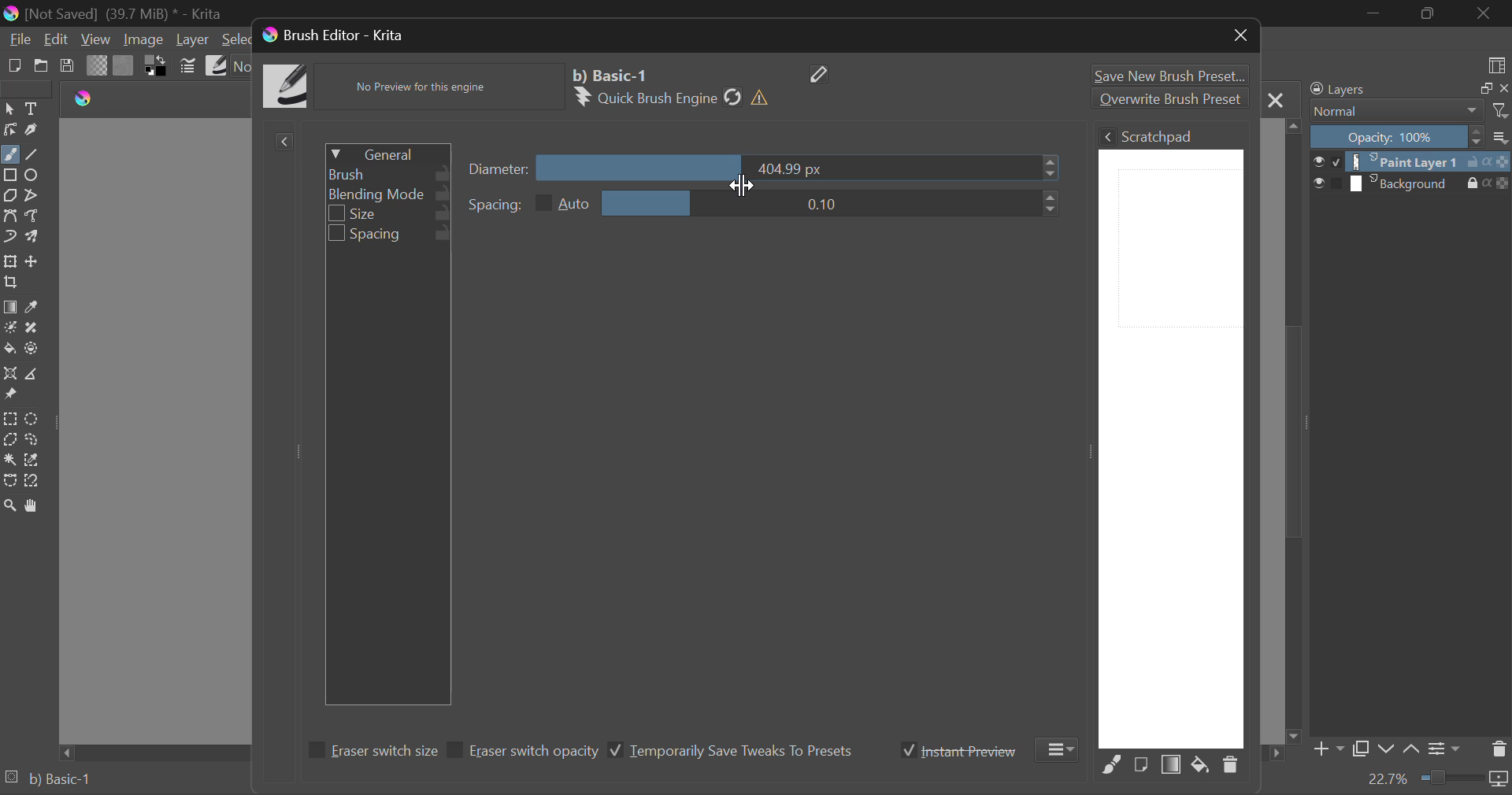 The width and height of the screenshot is (1512, 795). I want to click on Fill Area with Selected Brush Preset, so click(1112, 765).